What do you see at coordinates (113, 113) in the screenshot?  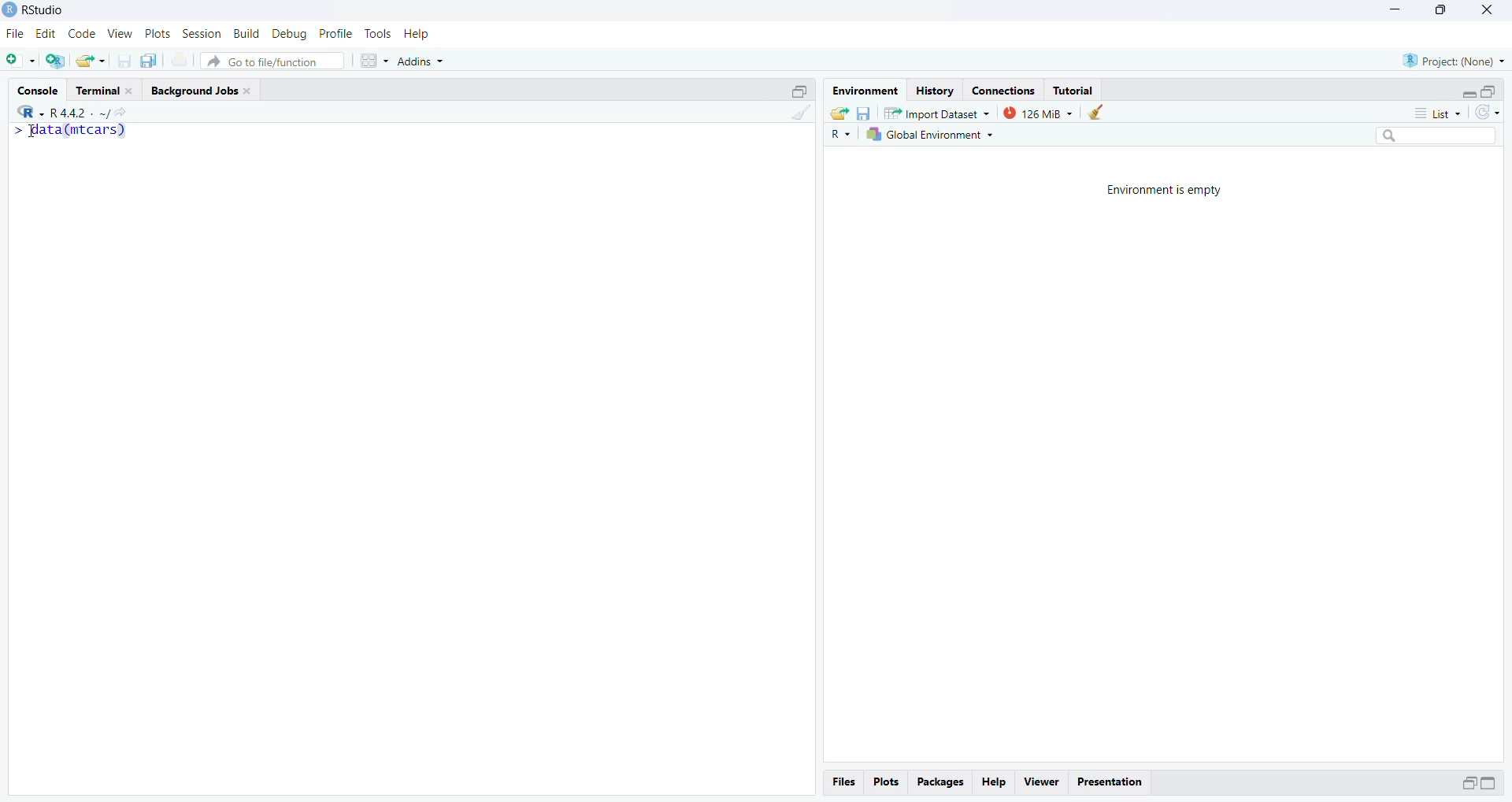 I see `view current directory` at bounding box center [113, 113].